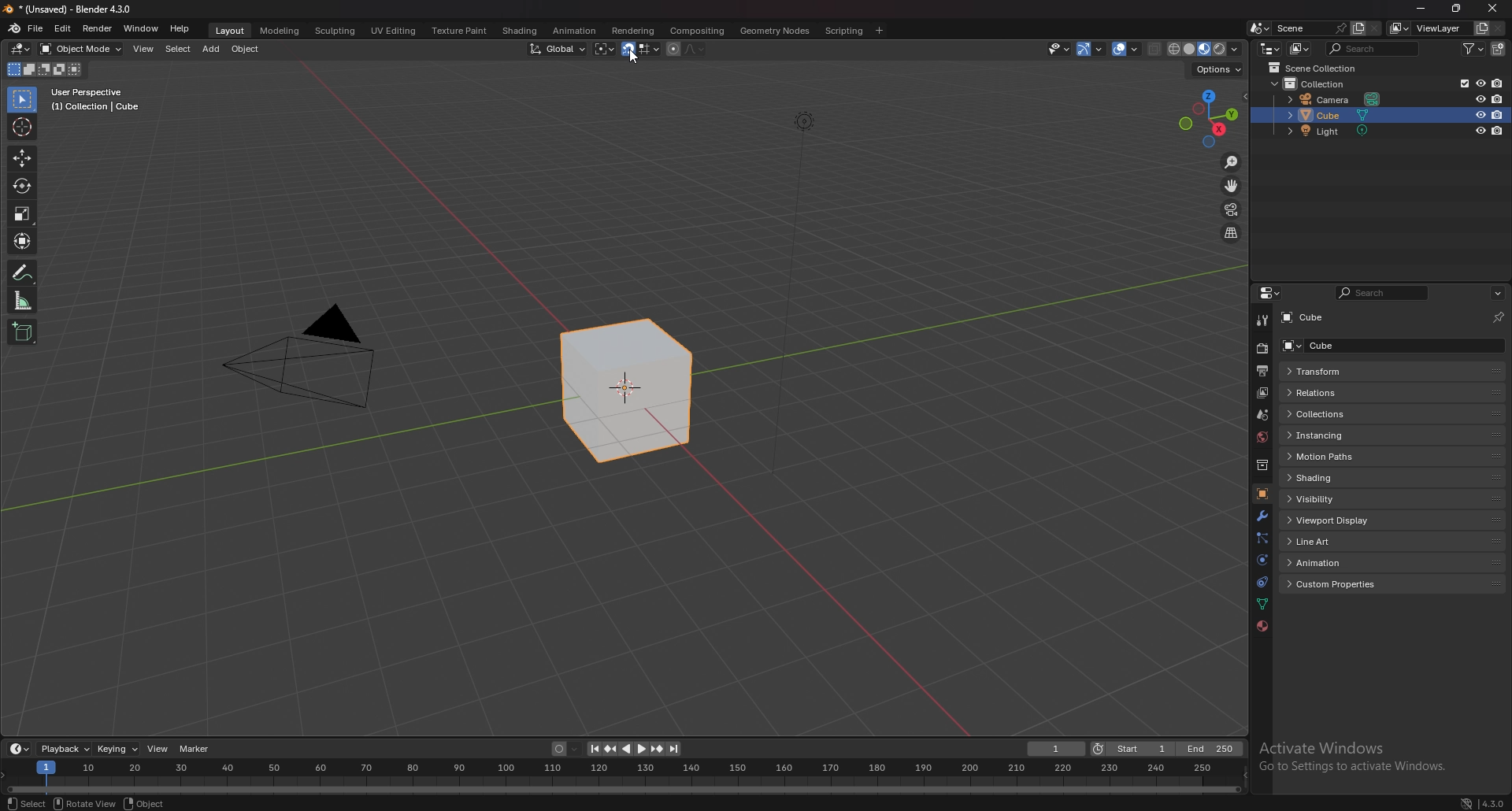 The image size is (1512, 811). What do you see at coordinates (97, 29) in the screenshot?
I see `render` at bounding box center [97, 29].